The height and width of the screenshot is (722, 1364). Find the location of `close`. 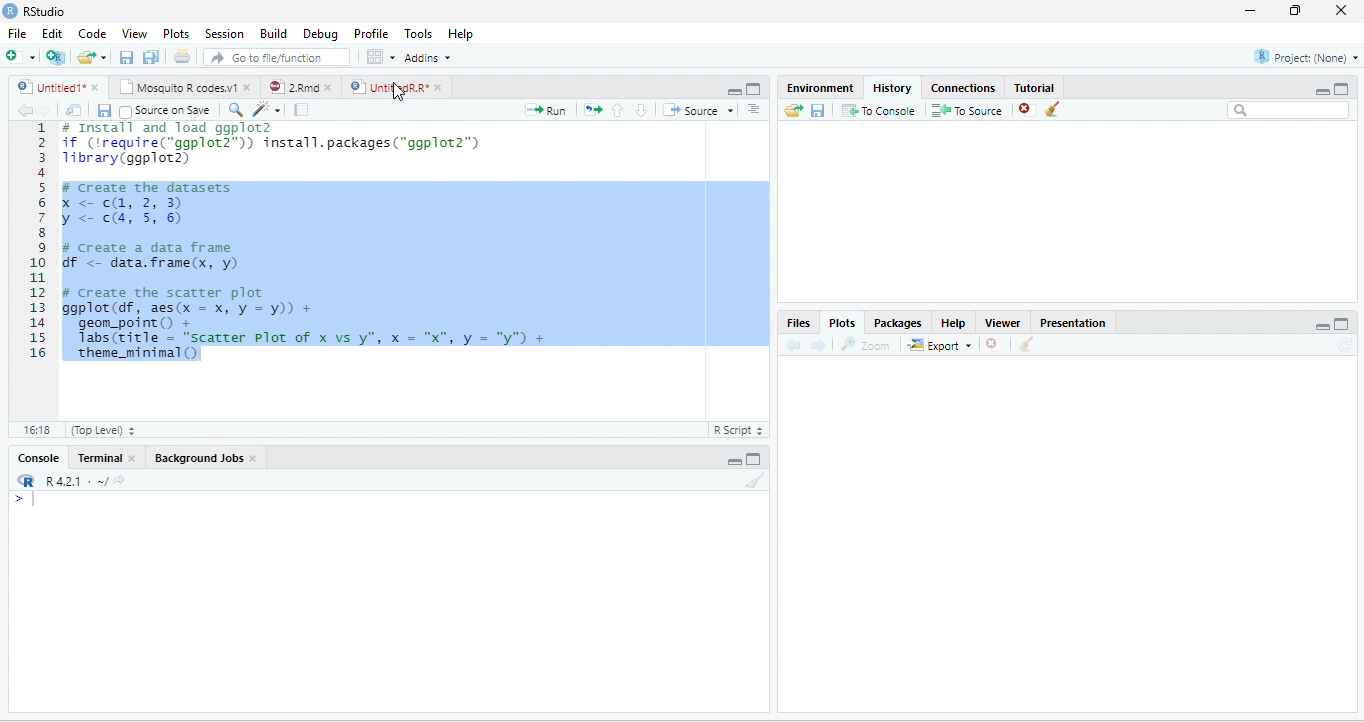

close is located at coordinates (438, 87).